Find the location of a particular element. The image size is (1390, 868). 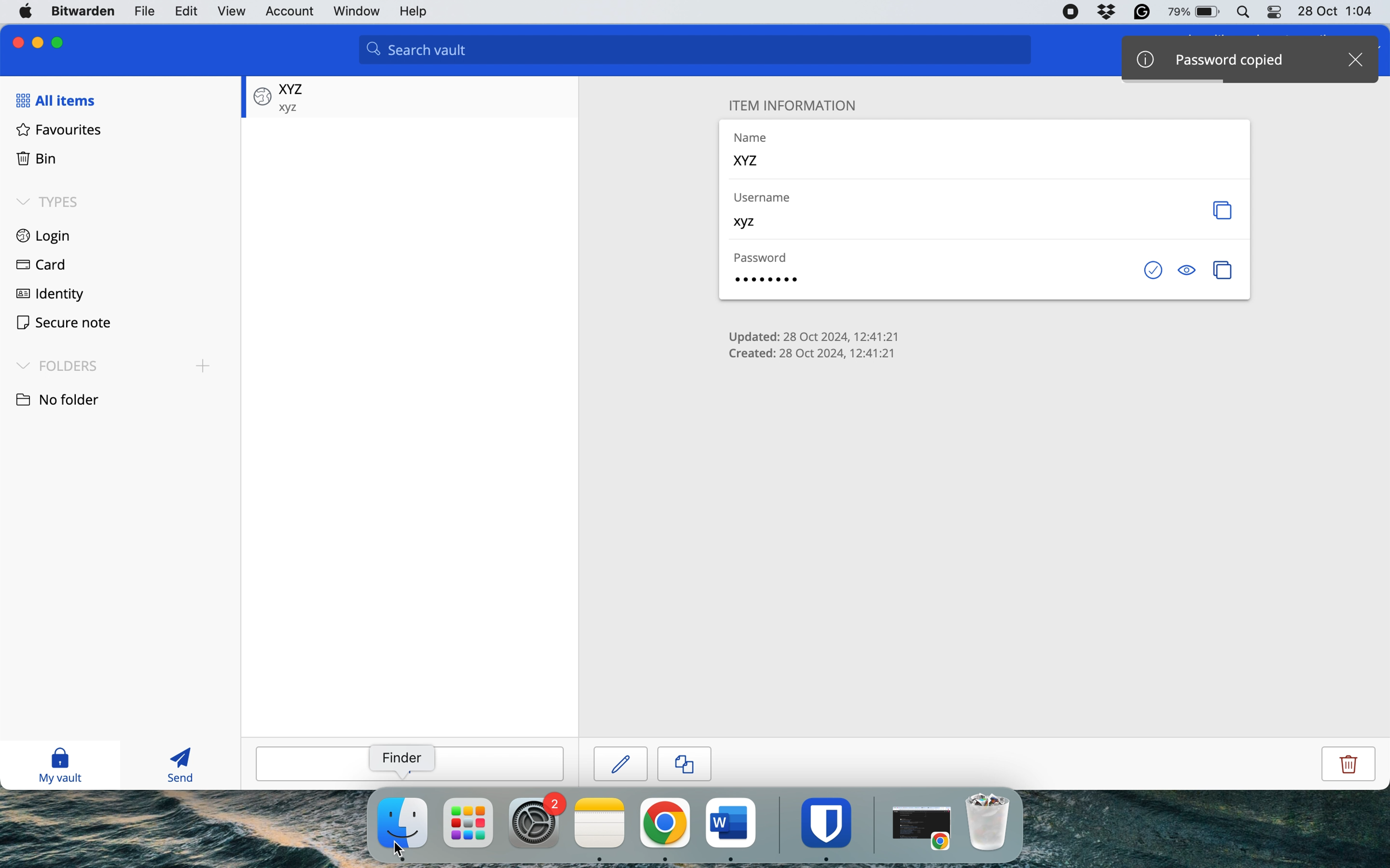

my vault is located at coordinates (68, 766).